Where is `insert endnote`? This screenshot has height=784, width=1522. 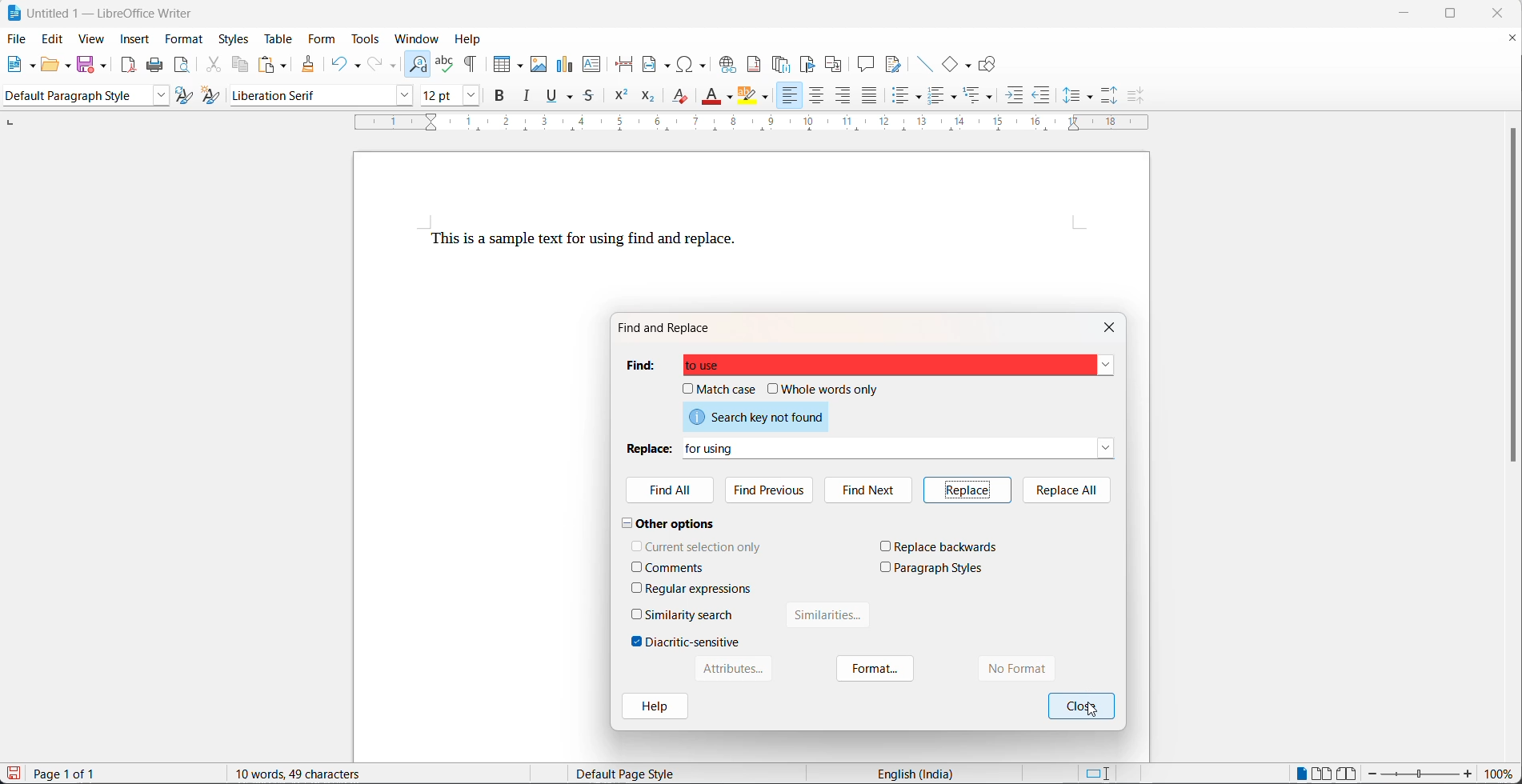
insert endnote is located at coordinates (783, 64).